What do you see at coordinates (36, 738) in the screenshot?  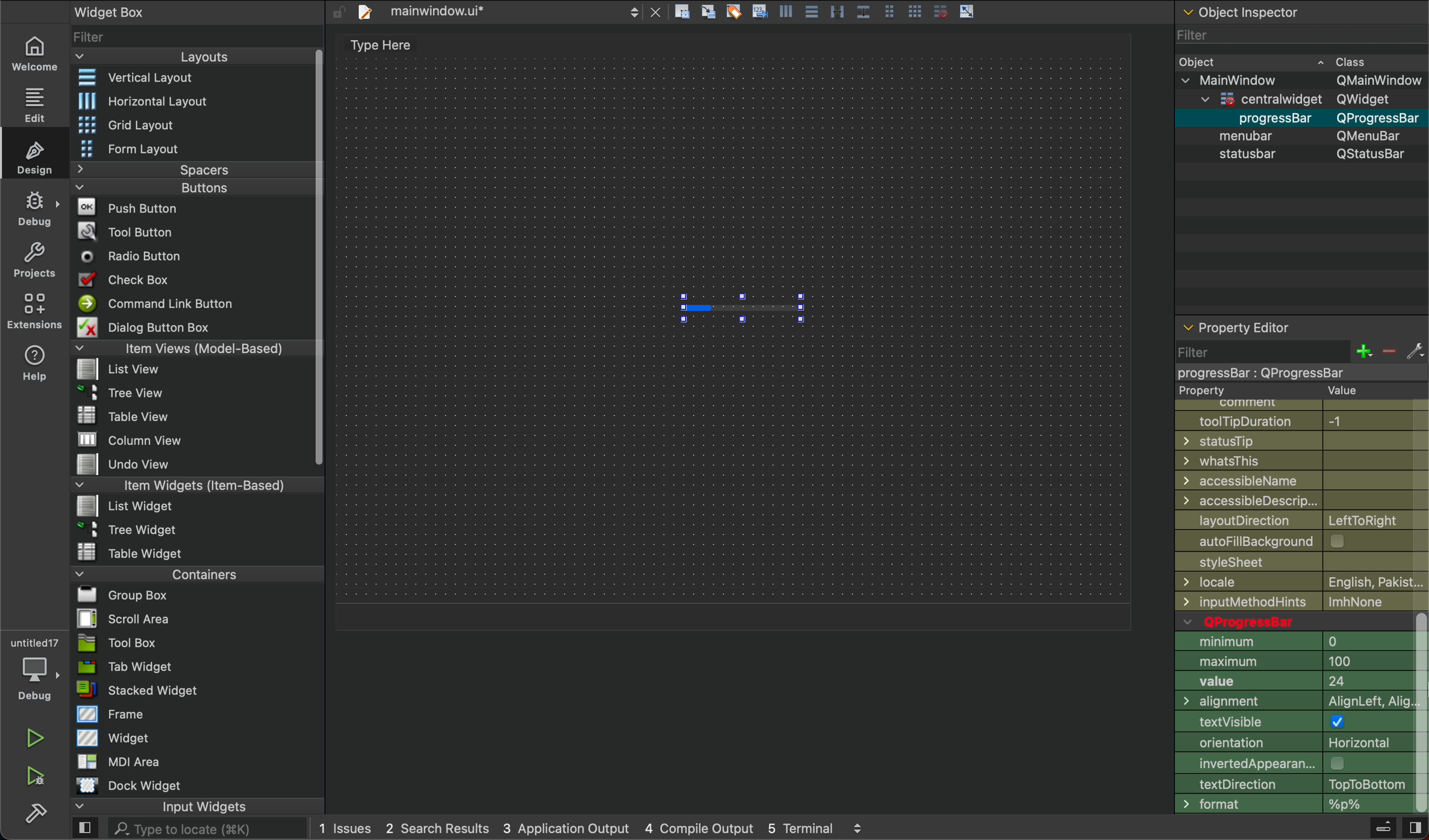 I see `run` at bounding box center [36, 738].